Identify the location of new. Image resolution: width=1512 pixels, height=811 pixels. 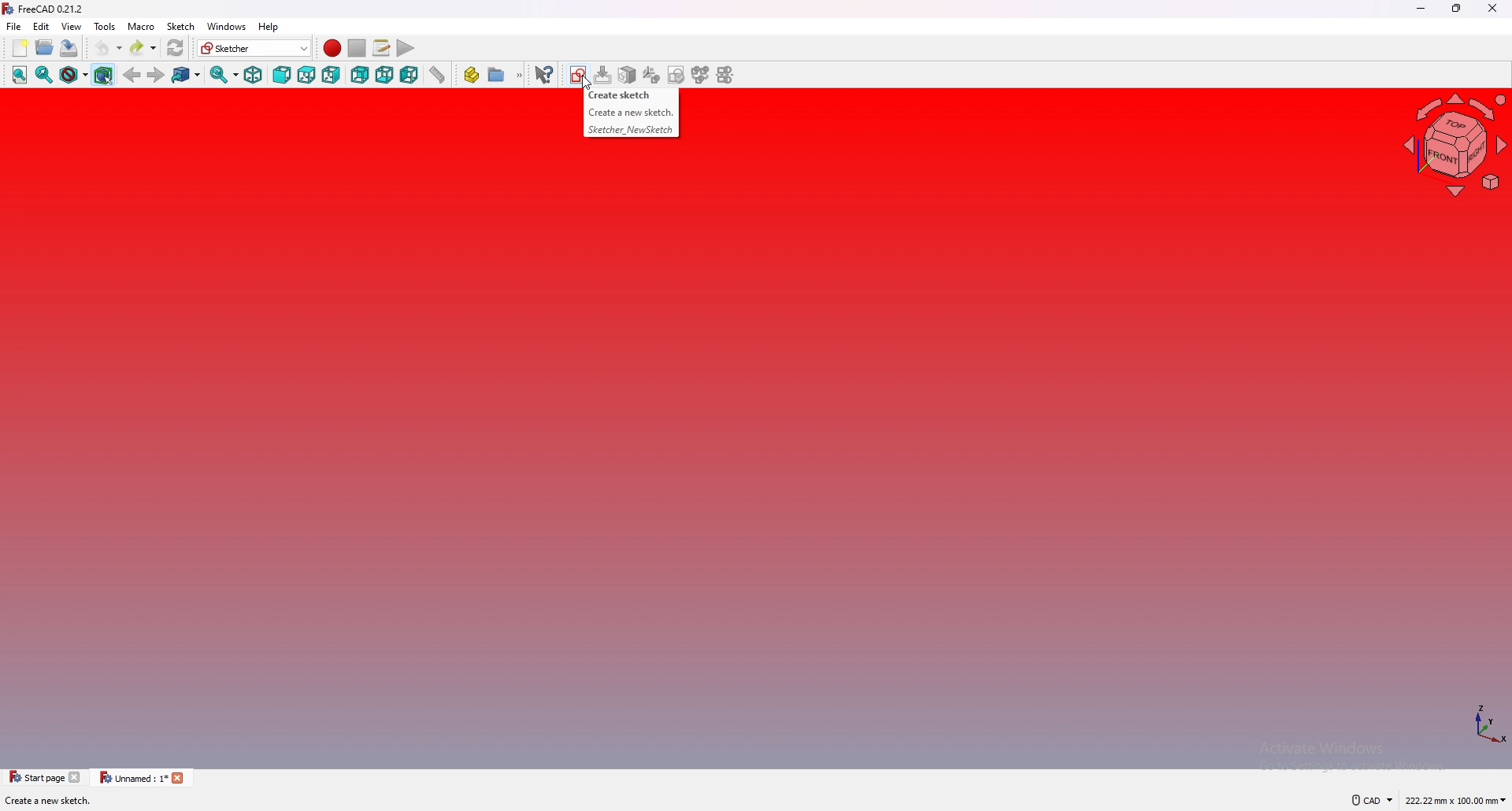
(20, 47).